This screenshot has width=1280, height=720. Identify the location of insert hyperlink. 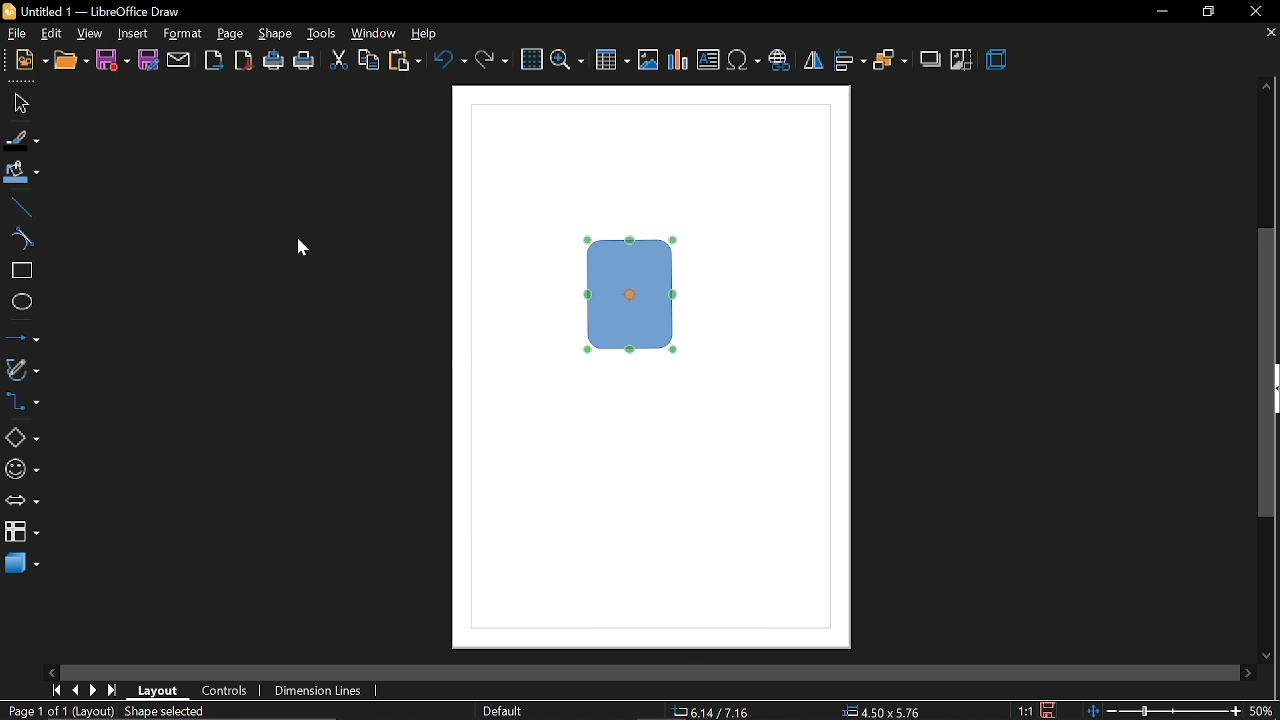
(780, 62).